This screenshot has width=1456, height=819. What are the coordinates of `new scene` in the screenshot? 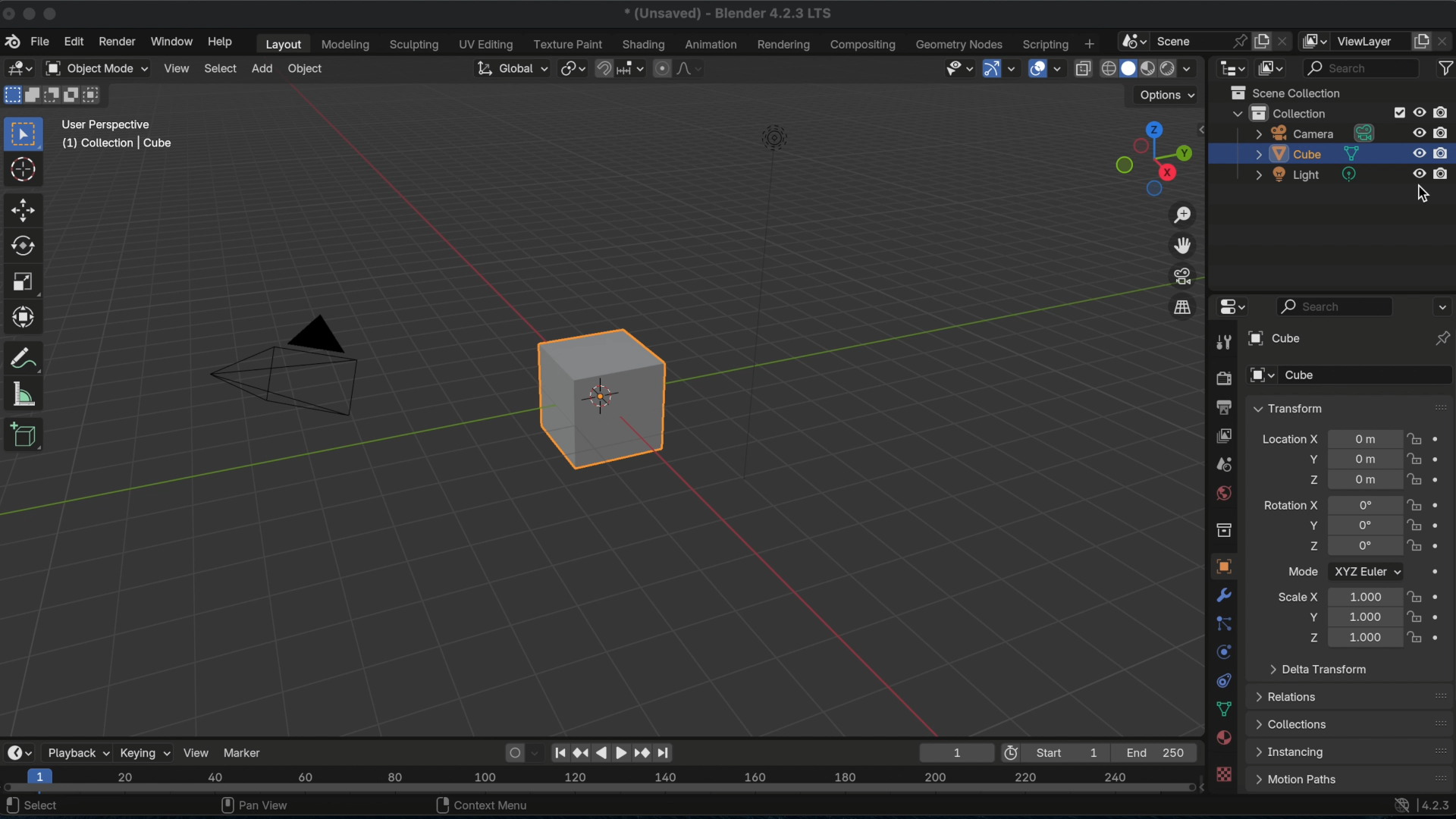 It's located at (1264, 42).